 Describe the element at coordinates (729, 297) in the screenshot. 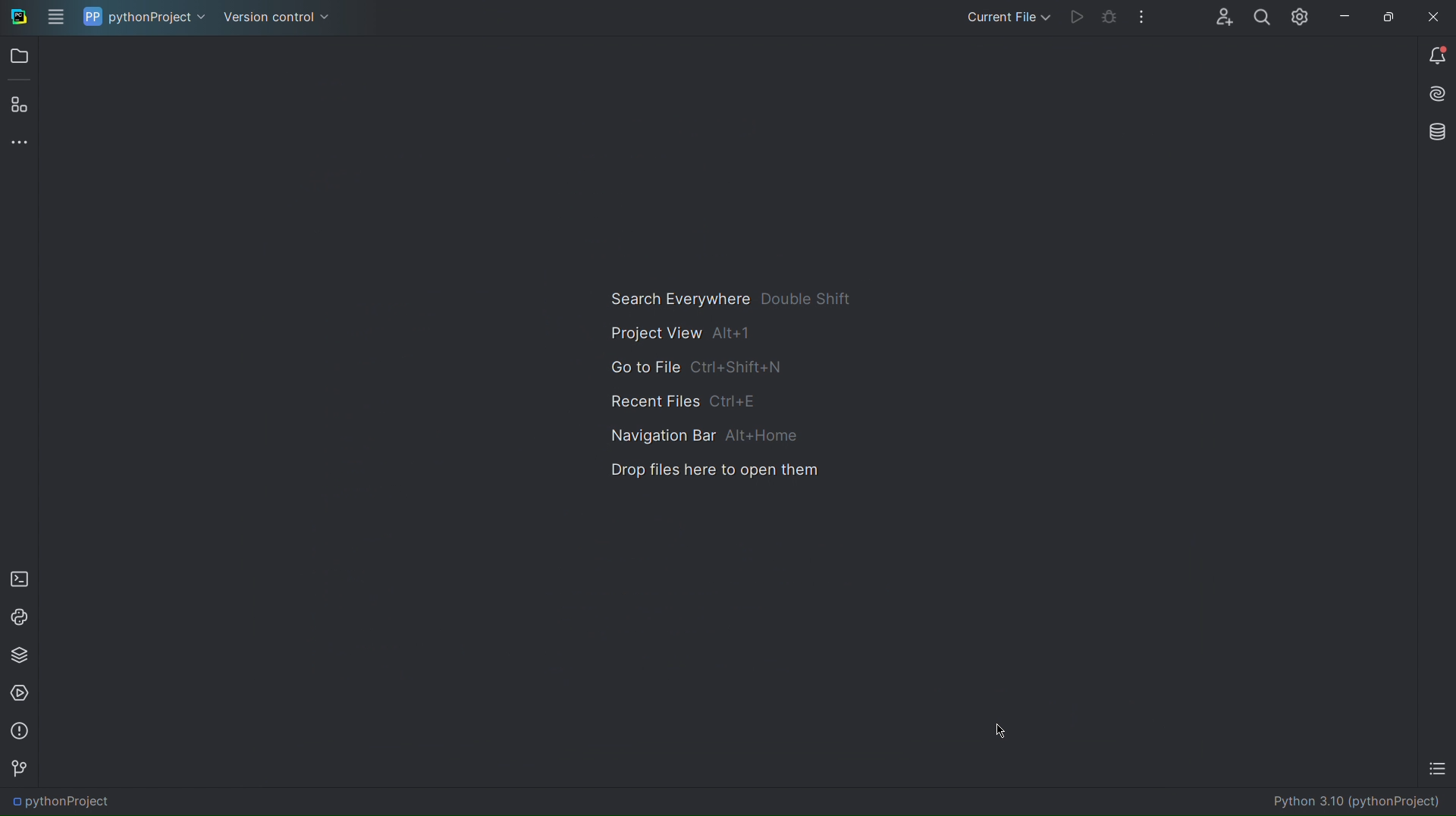

I see `Search Everywhere` at that location.